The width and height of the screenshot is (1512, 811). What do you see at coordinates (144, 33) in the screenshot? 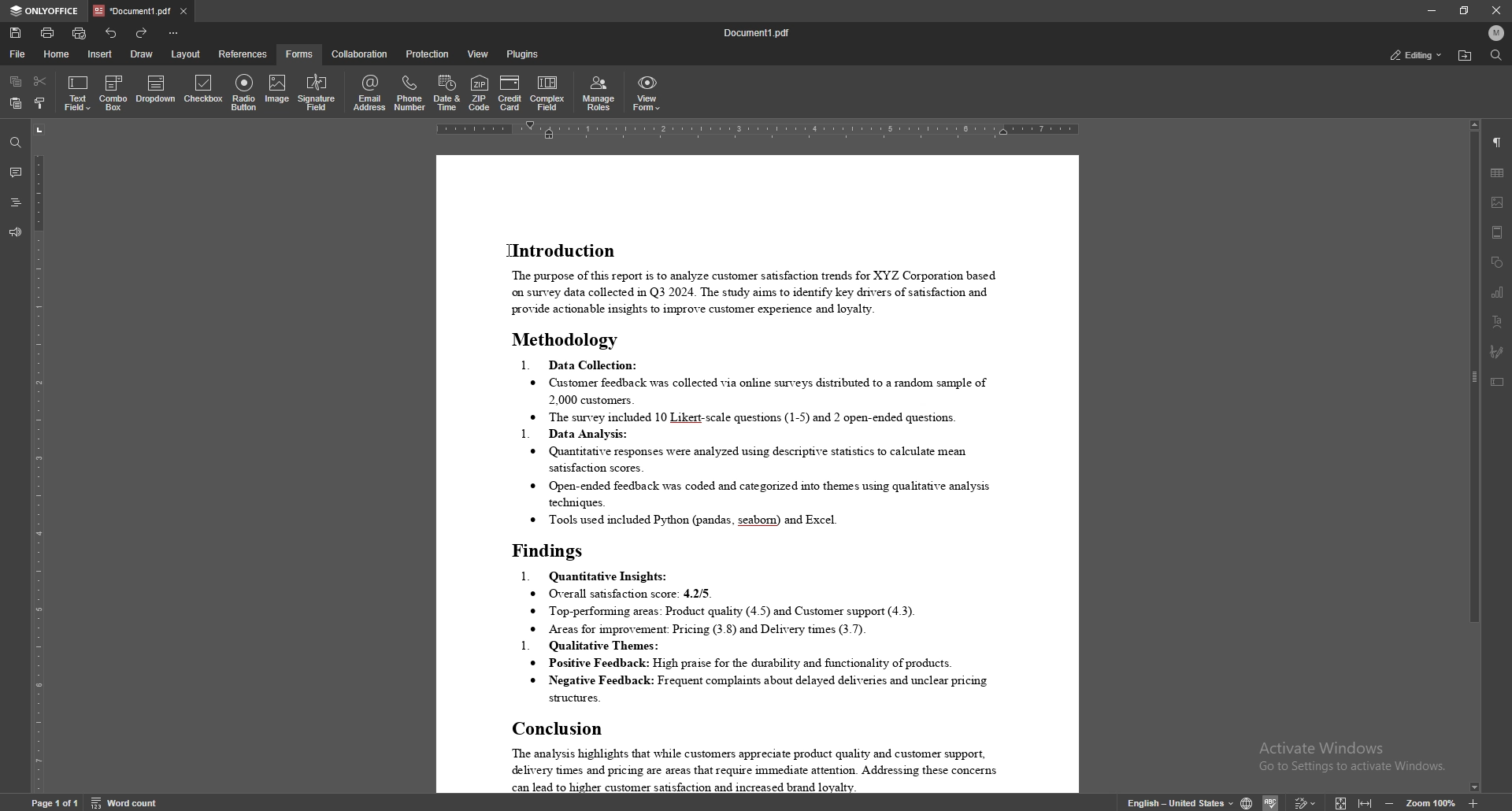
I see `redo` at bounding box center [144, 33].